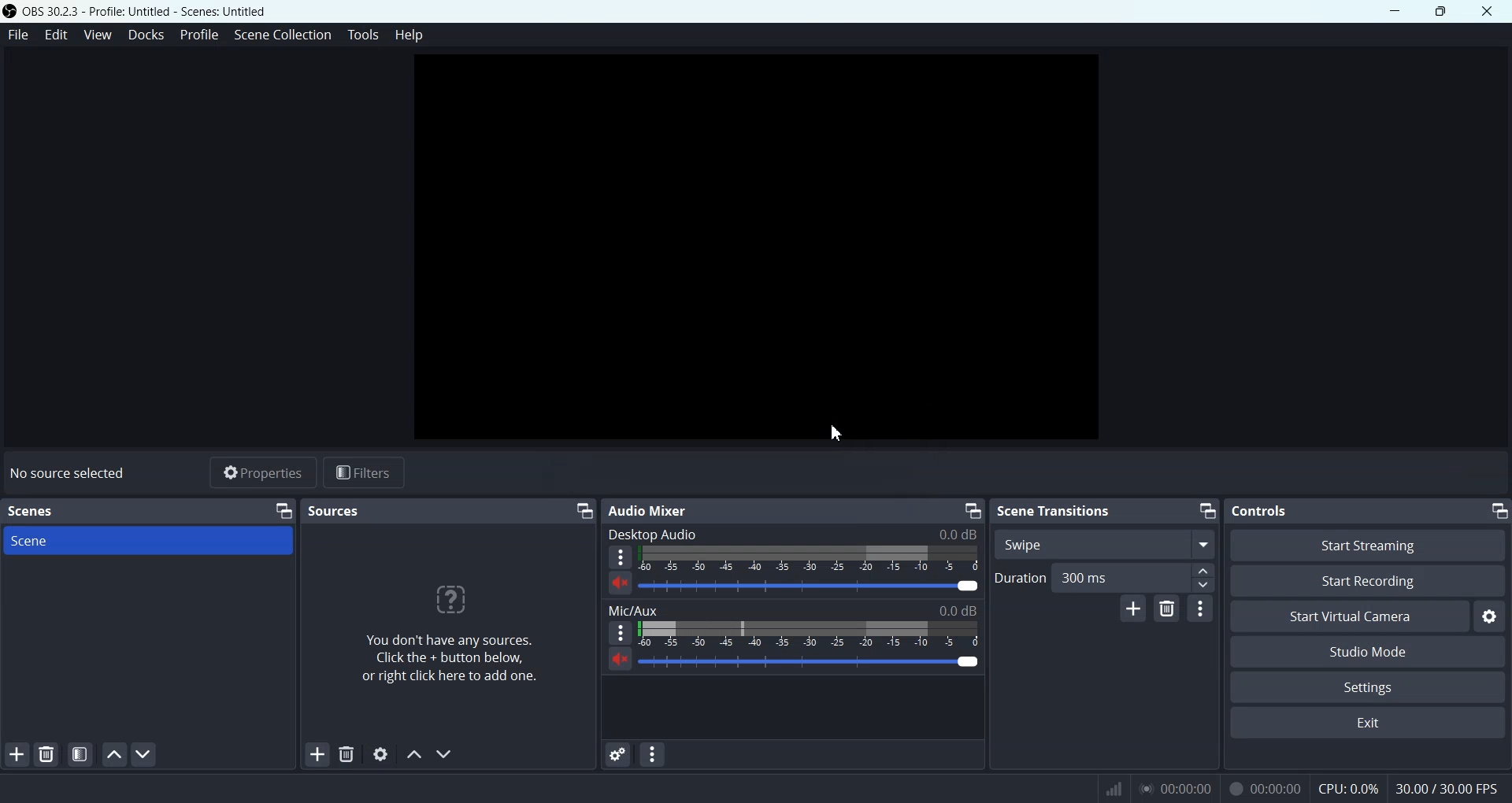 The image size is (1512, 803). What do you see at coordinates (1134, 576) in the screenshot?
I see `300 ms` at bounding box center [1134, 576].